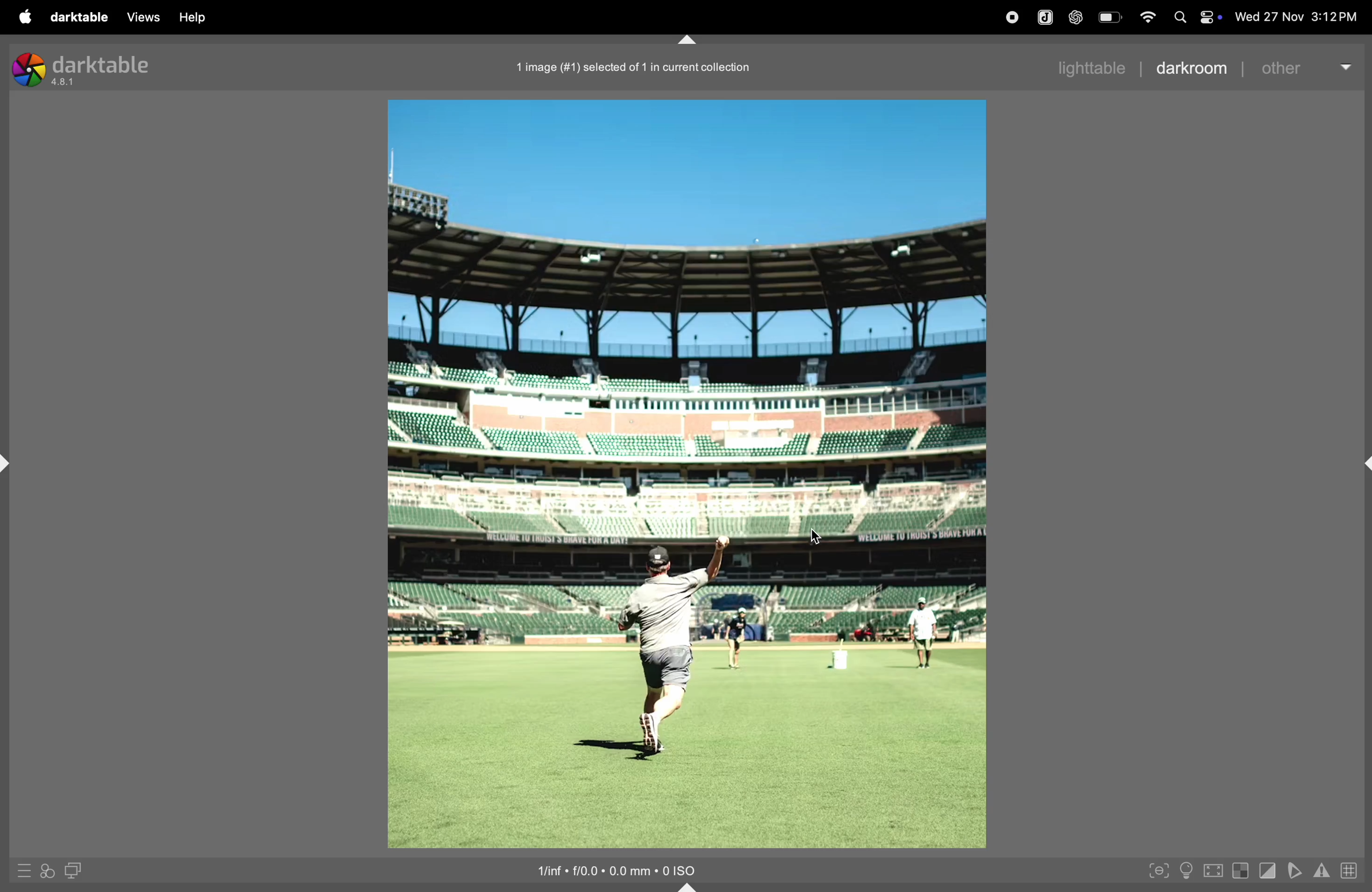  Describe the element at coordinates (1266, 871) in the screenshot. I see `toggle clipping indication` at that location.